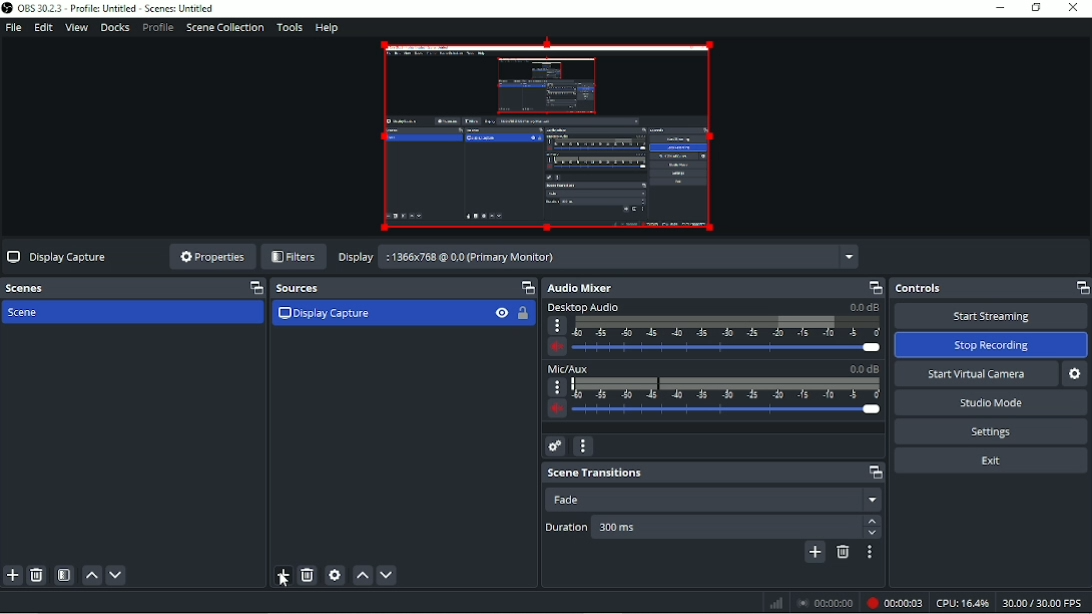 Image resolution: width=1092 pixels, height=614 pixels. What do you see at coordinates (776, 602) in the screenshot?
I see `Graph` at bounding box center [776, 602].